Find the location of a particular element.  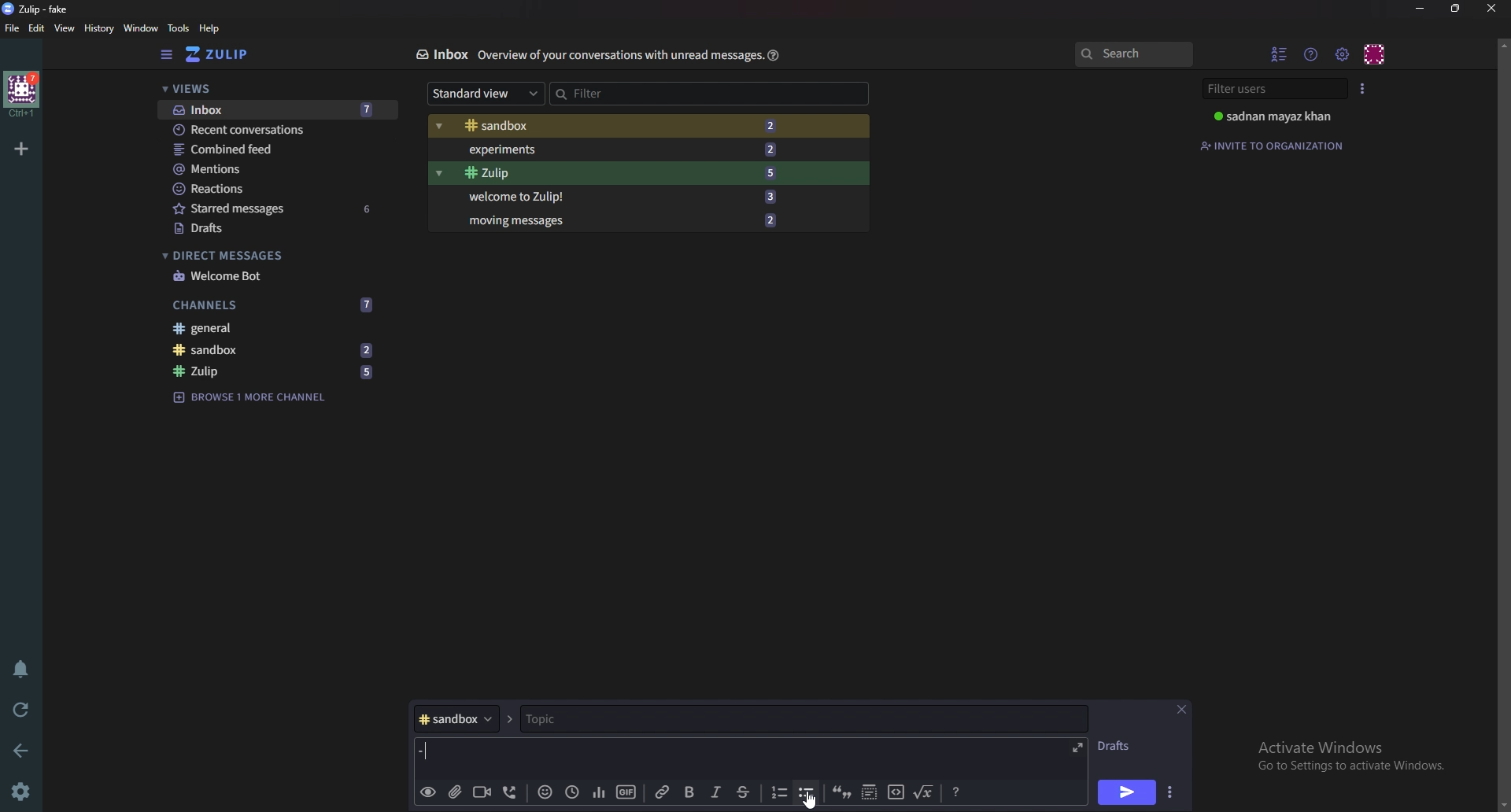

Inbox is located at coordinates (441, 54).